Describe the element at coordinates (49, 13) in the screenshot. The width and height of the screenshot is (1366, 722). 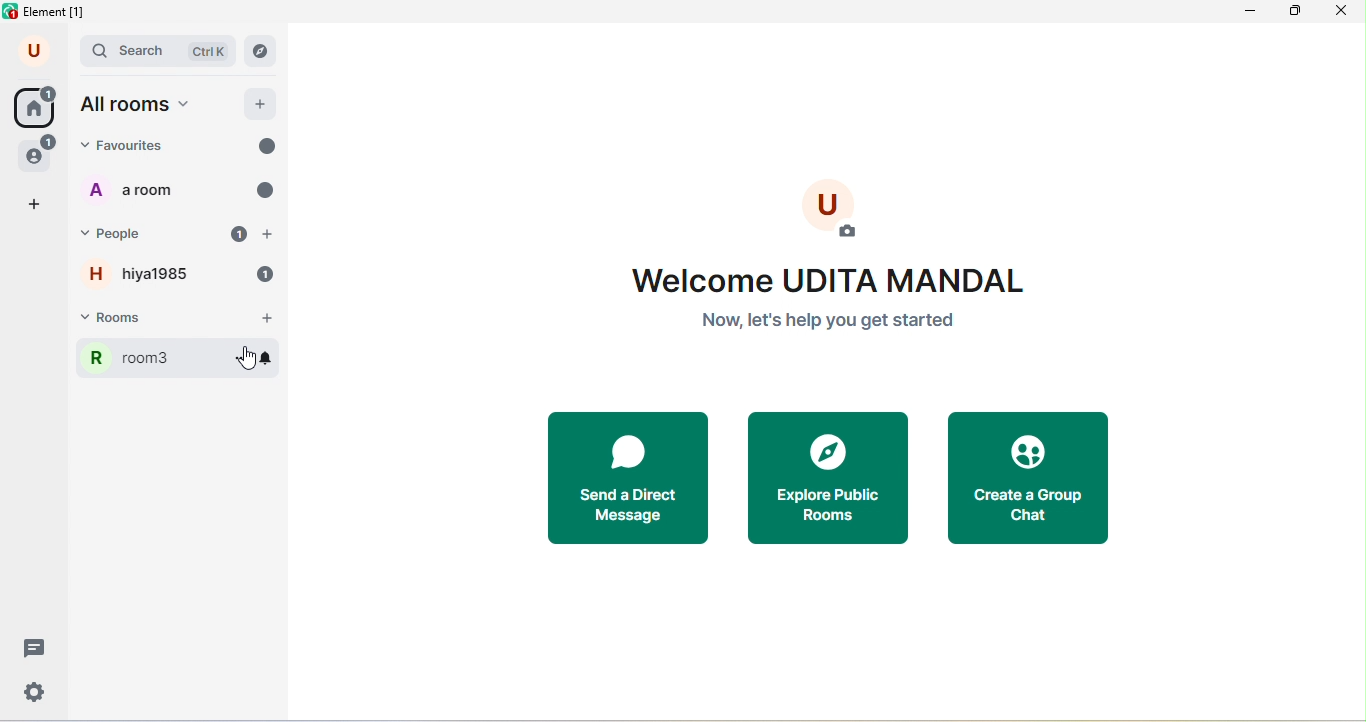
I see `title` at that location.